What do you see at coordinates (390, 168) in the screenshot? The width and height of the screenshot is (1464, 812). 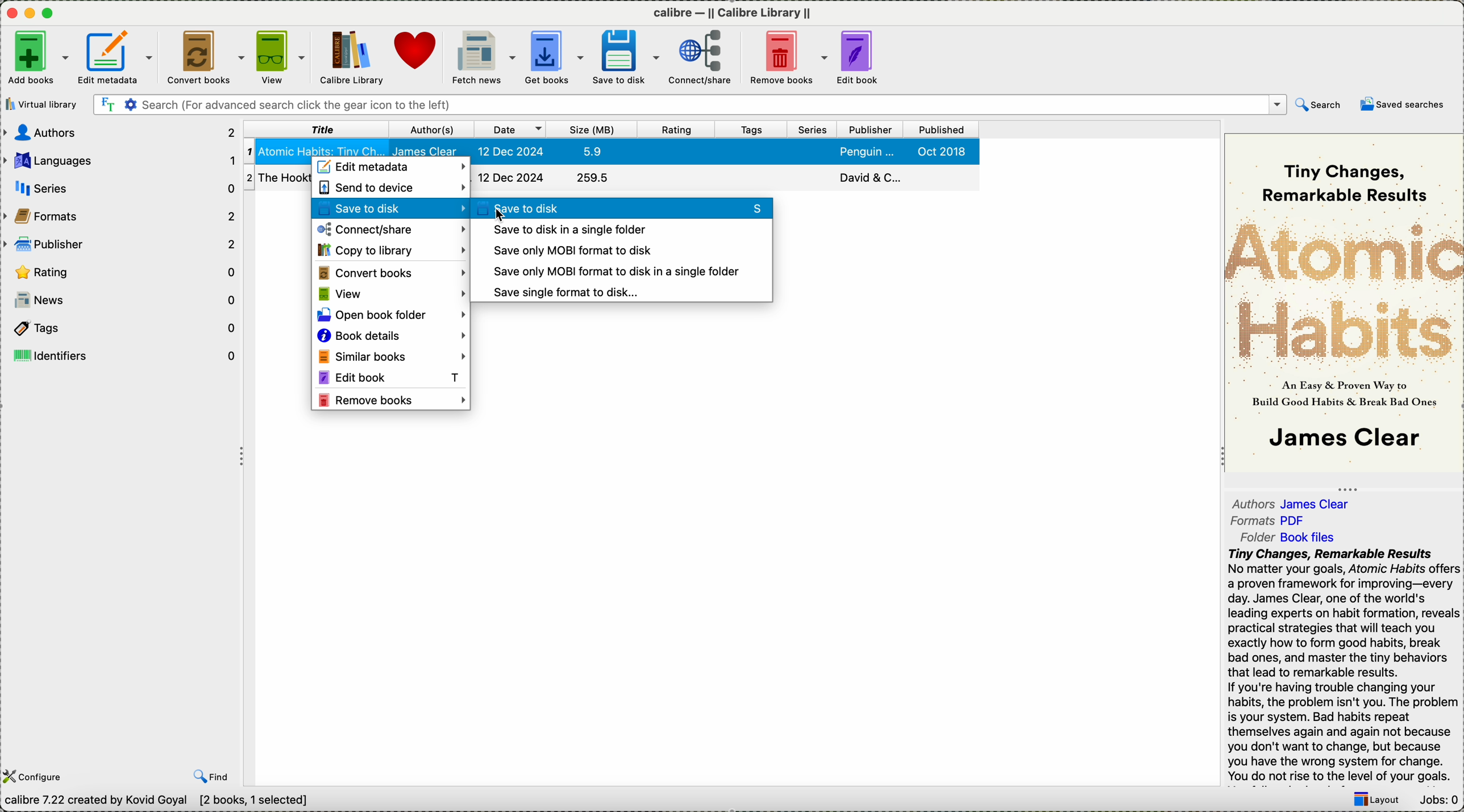 I see `edit metadata` at bounding box center [390, 168].